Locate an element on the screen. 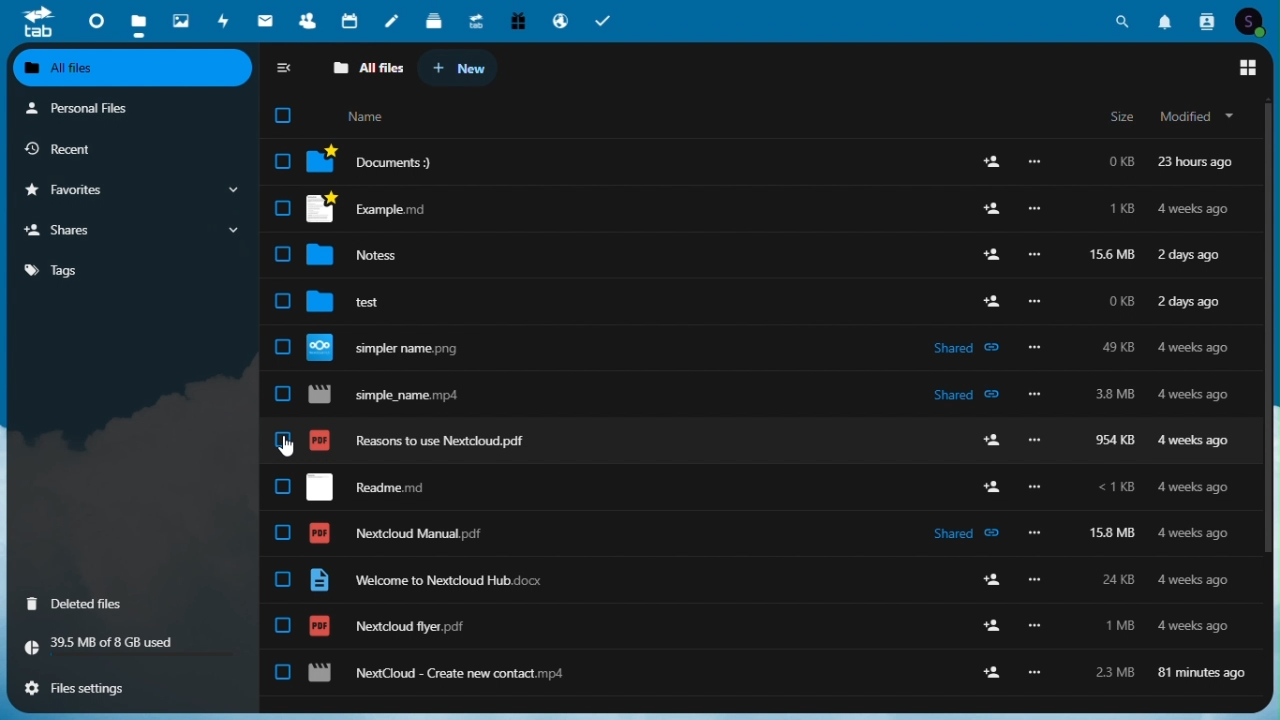 The height and width of the screenshot is (720, 1280). 954 kb is located at coordinates (1114, 442).